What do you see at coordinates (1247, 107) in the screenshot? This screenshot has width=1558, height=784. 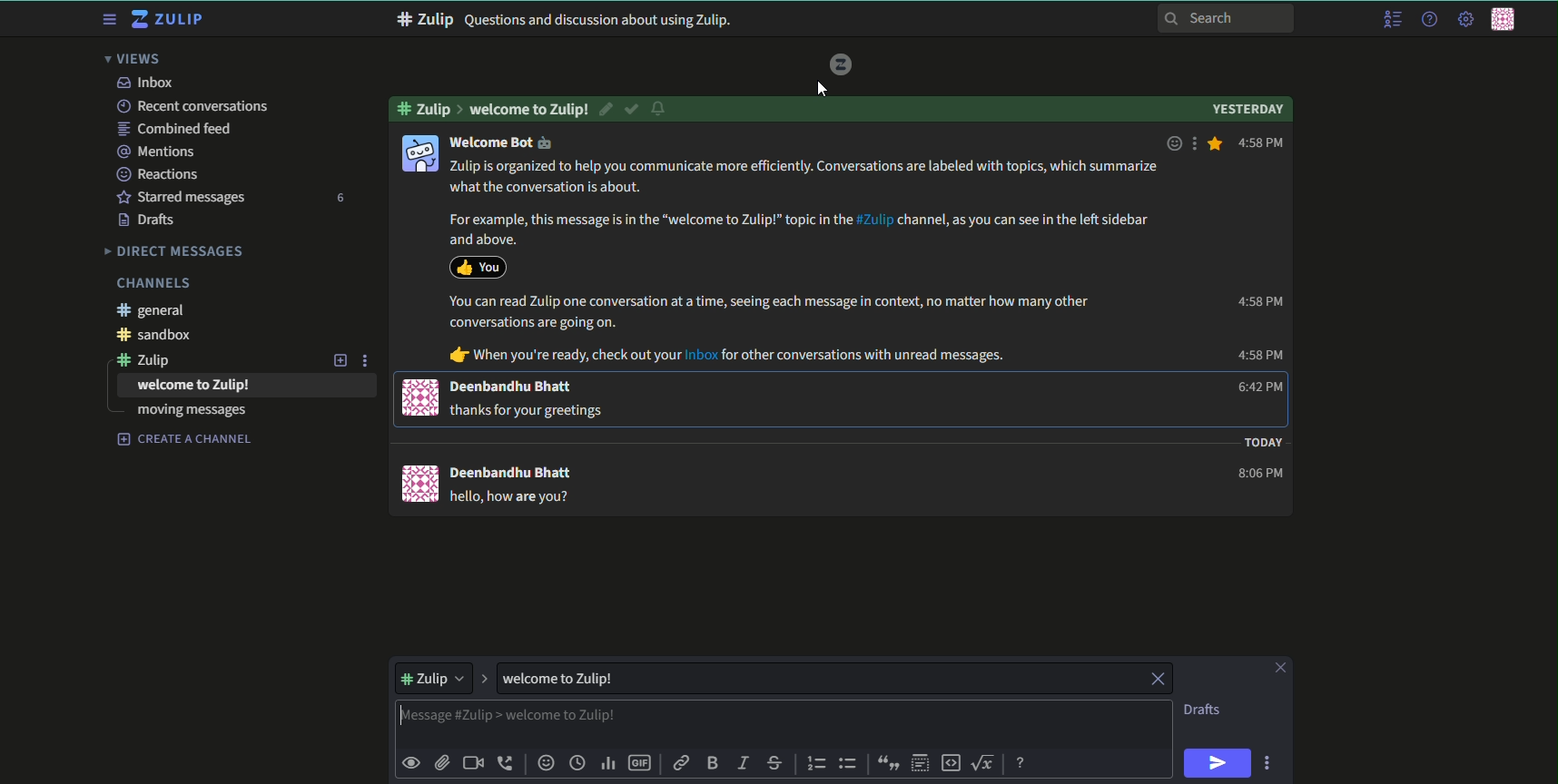 I see `Yesterday` at bounding box center [1247, 107].